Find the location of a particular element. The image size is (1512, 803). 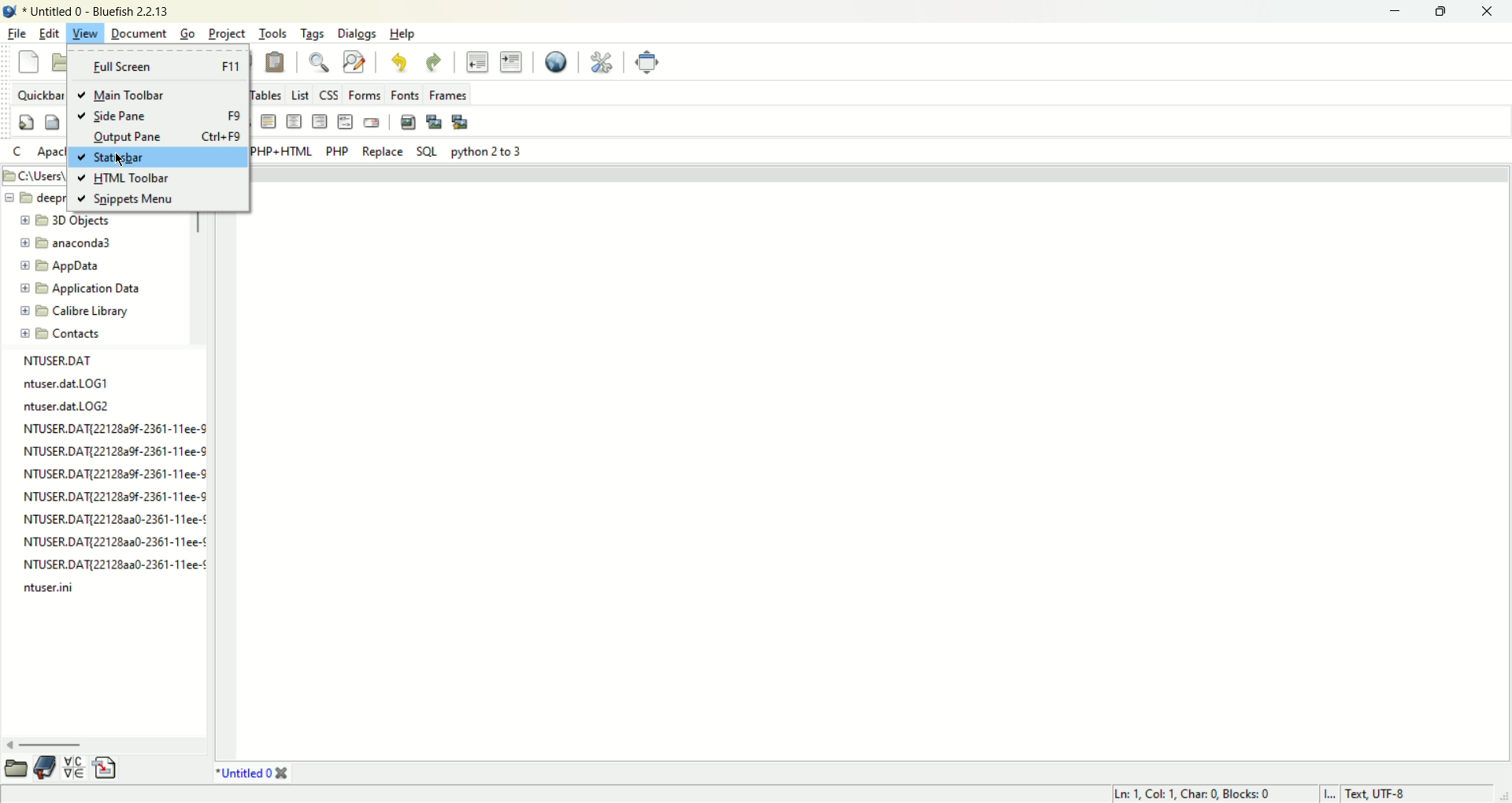

tools is located at coordinates (272, 32).